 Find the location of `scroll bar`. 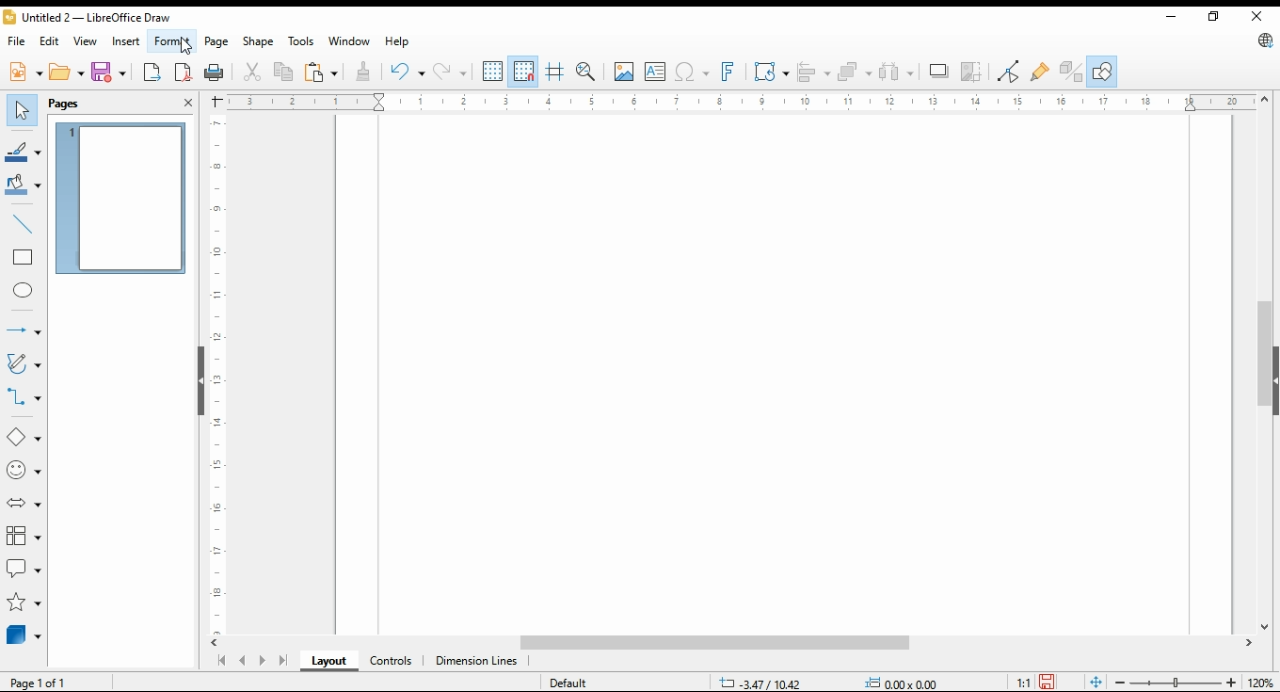

scroll bar is located at coordinates (740, 644).